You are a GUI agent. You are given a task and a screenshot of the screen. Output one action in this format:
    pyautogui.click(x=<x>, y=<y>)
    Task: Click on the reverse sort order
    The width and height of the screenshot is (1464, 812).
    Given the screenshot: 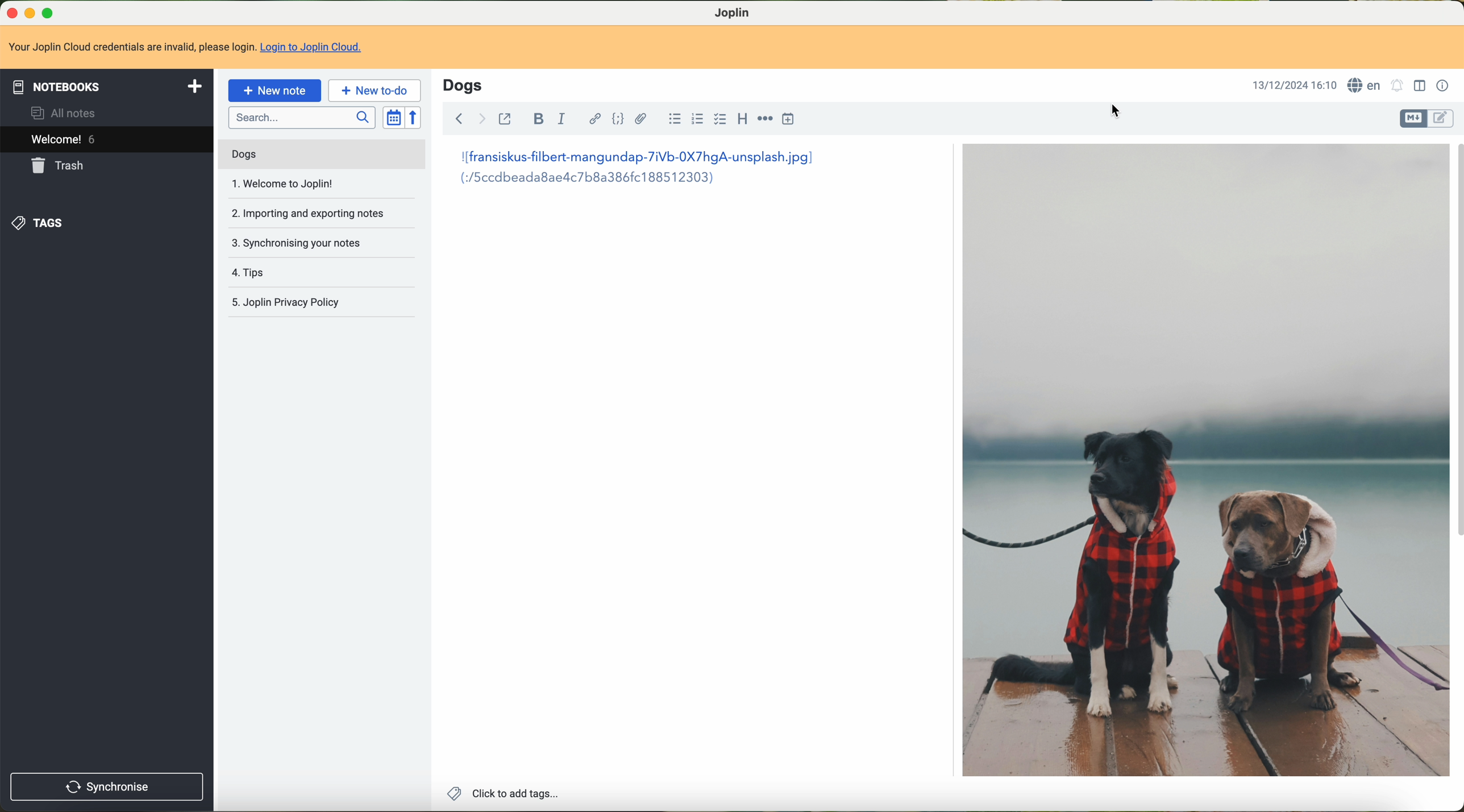 What is the action you would take?
    pyautogui.click(x=415, y=118)
    